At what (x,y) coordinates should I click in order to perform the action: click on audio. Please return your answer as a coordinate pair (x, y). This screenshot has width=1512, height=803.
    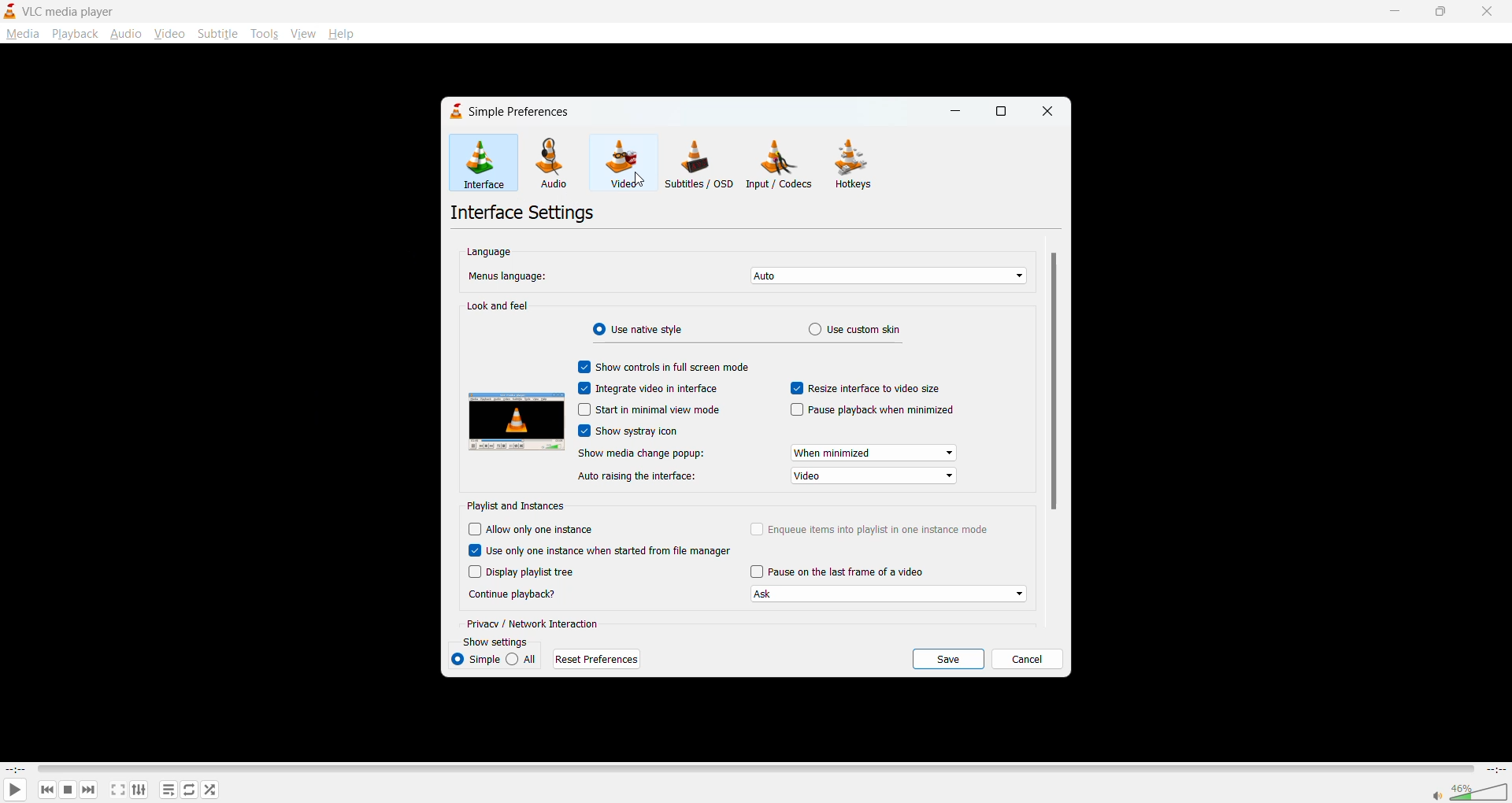
    Looking at the image, I should click on (127, 35).